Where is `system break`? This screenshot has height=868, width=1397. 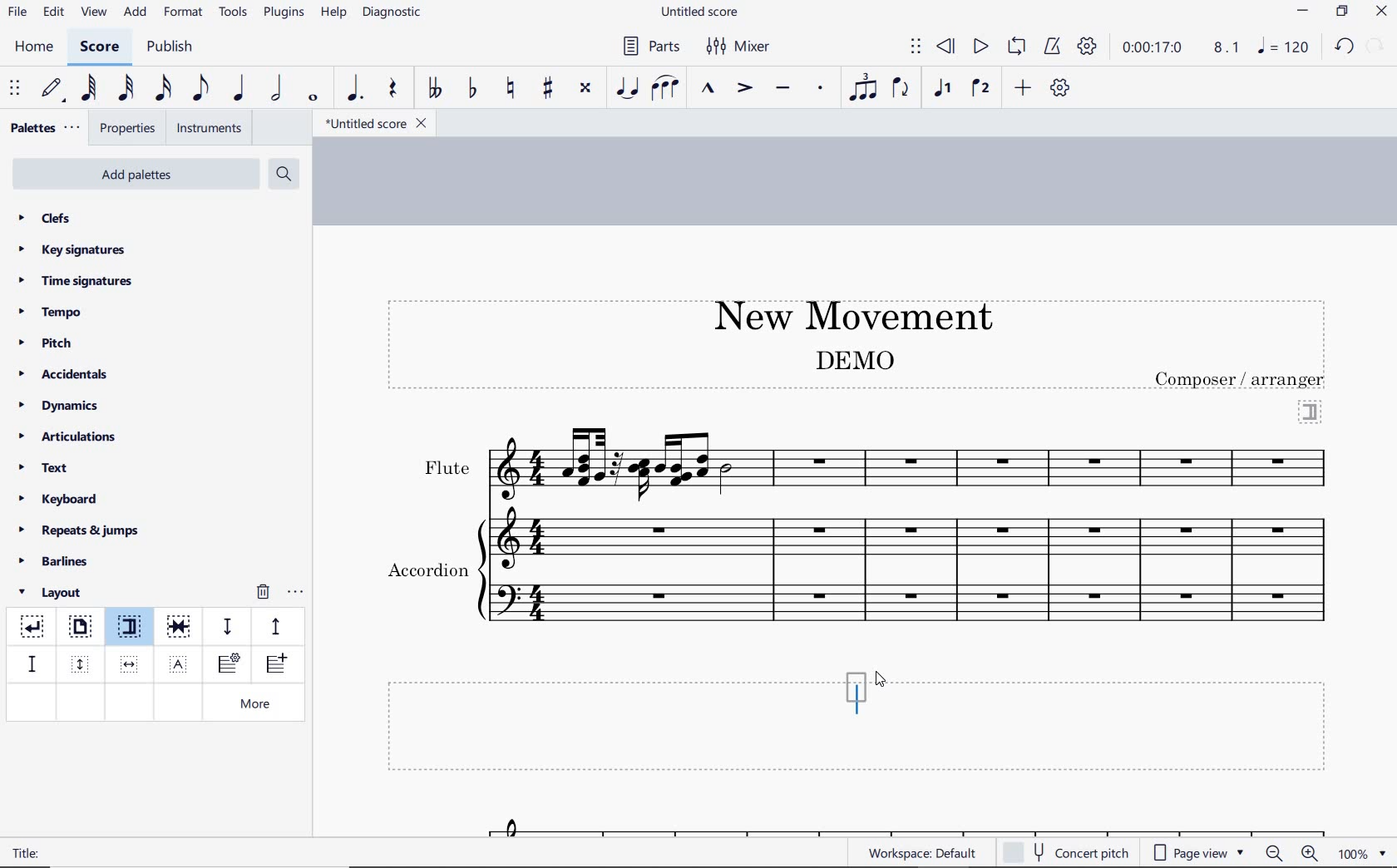 system break is located at coordinates (33, 624).